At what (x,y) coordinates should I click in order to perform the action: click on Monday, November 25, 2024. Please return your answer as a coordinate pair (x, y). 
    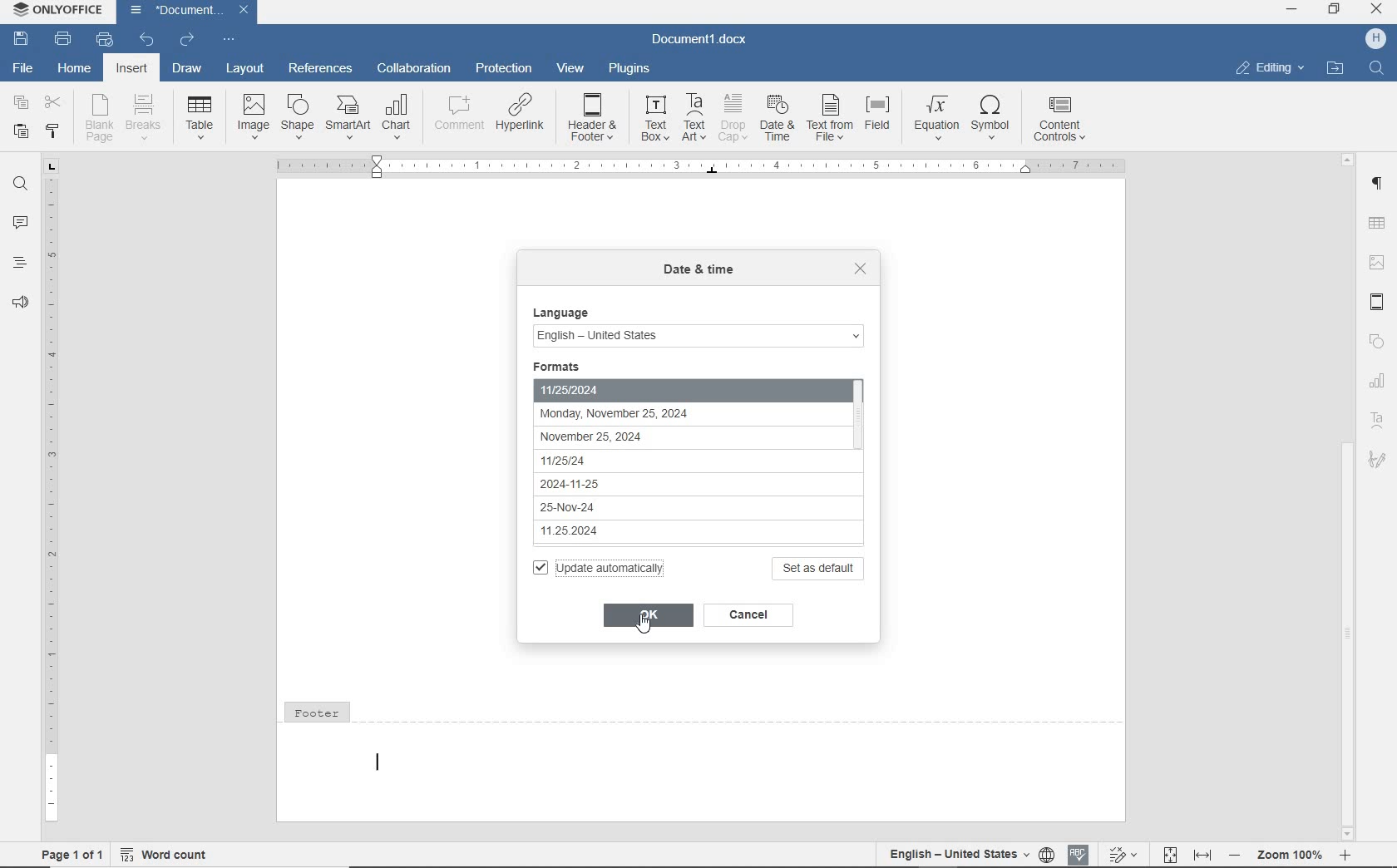
    Looking at the image, I should click on (645, 414).